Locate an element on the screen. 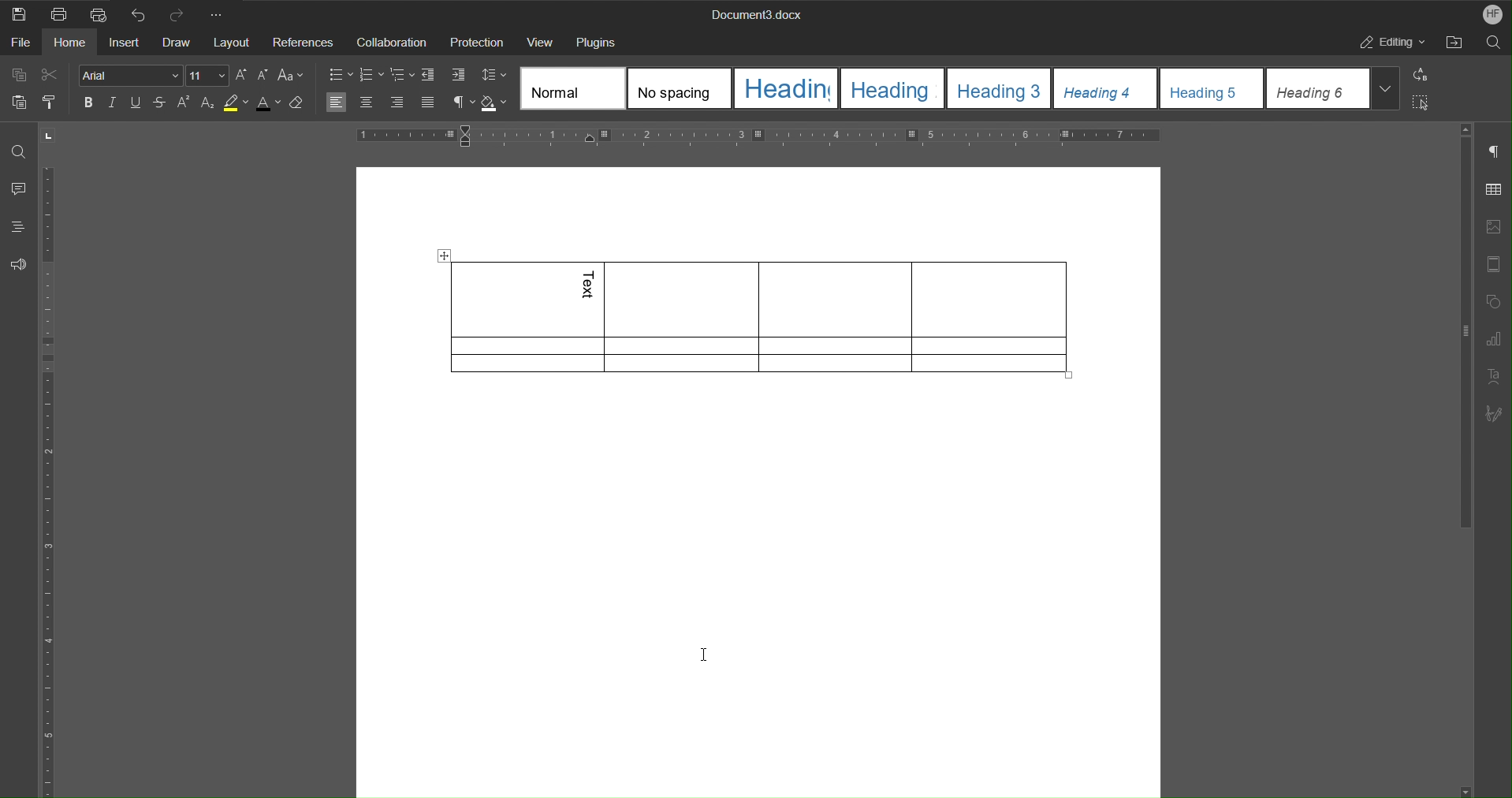  More is located at coordinates (223, 13).